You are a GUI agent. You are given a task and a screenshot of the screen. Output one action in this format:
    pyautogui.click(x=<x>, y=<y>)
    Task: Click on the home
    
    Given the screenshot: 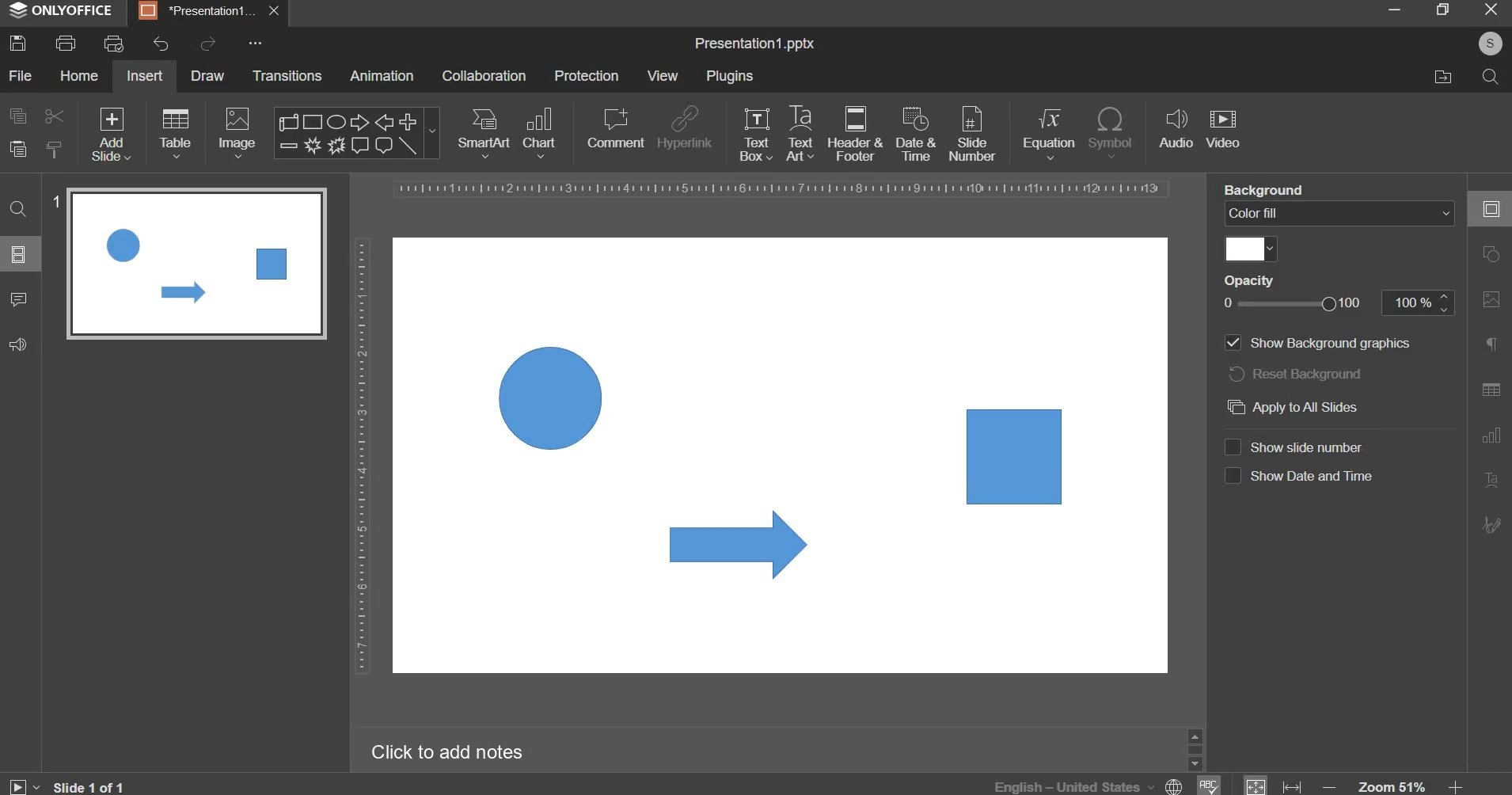 What is the action you would take?
    pyautogui.click(x=78, y=74)
    